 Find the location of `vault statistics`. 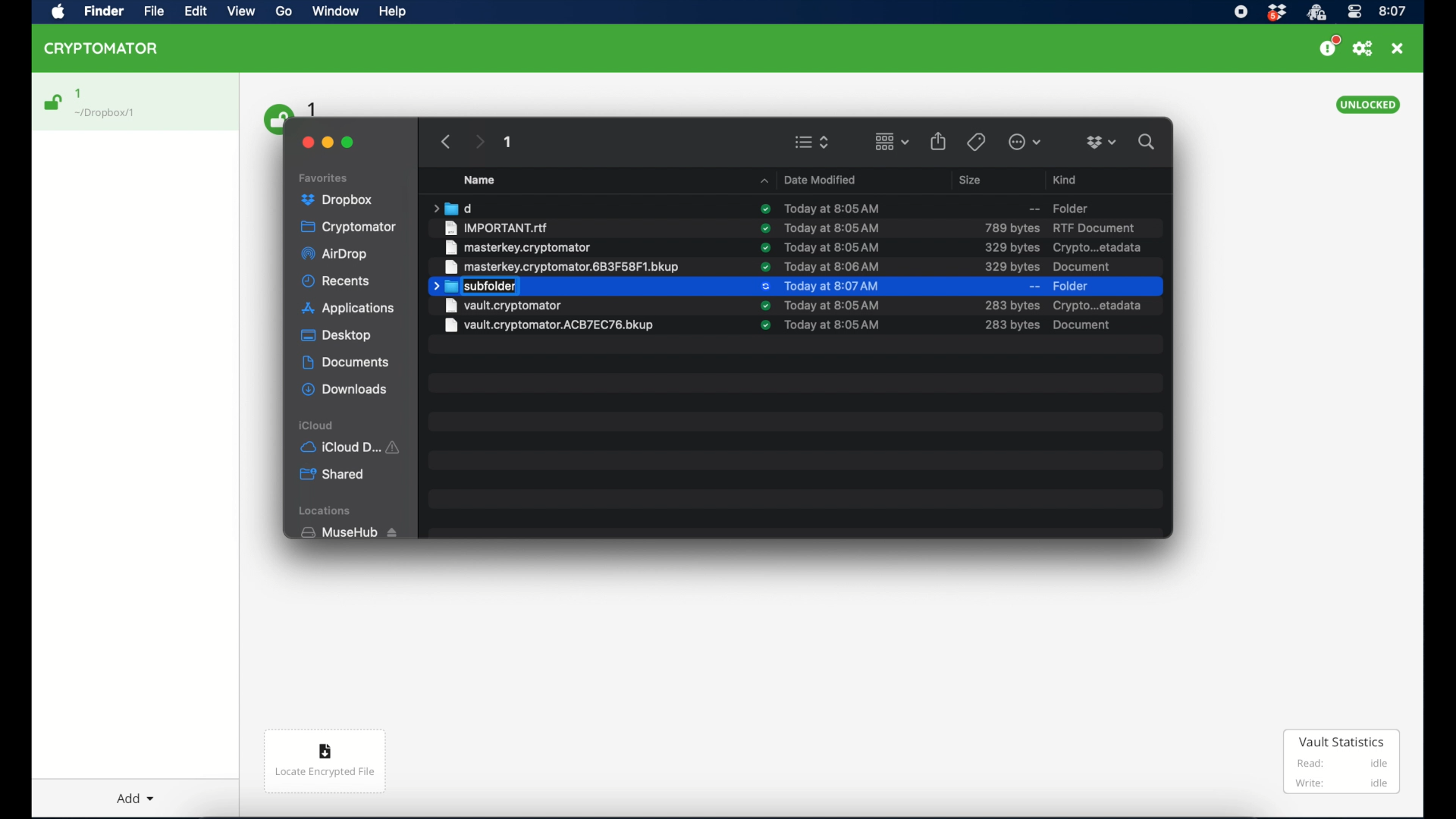

vault statistics is located at coordinates (1341, 763).